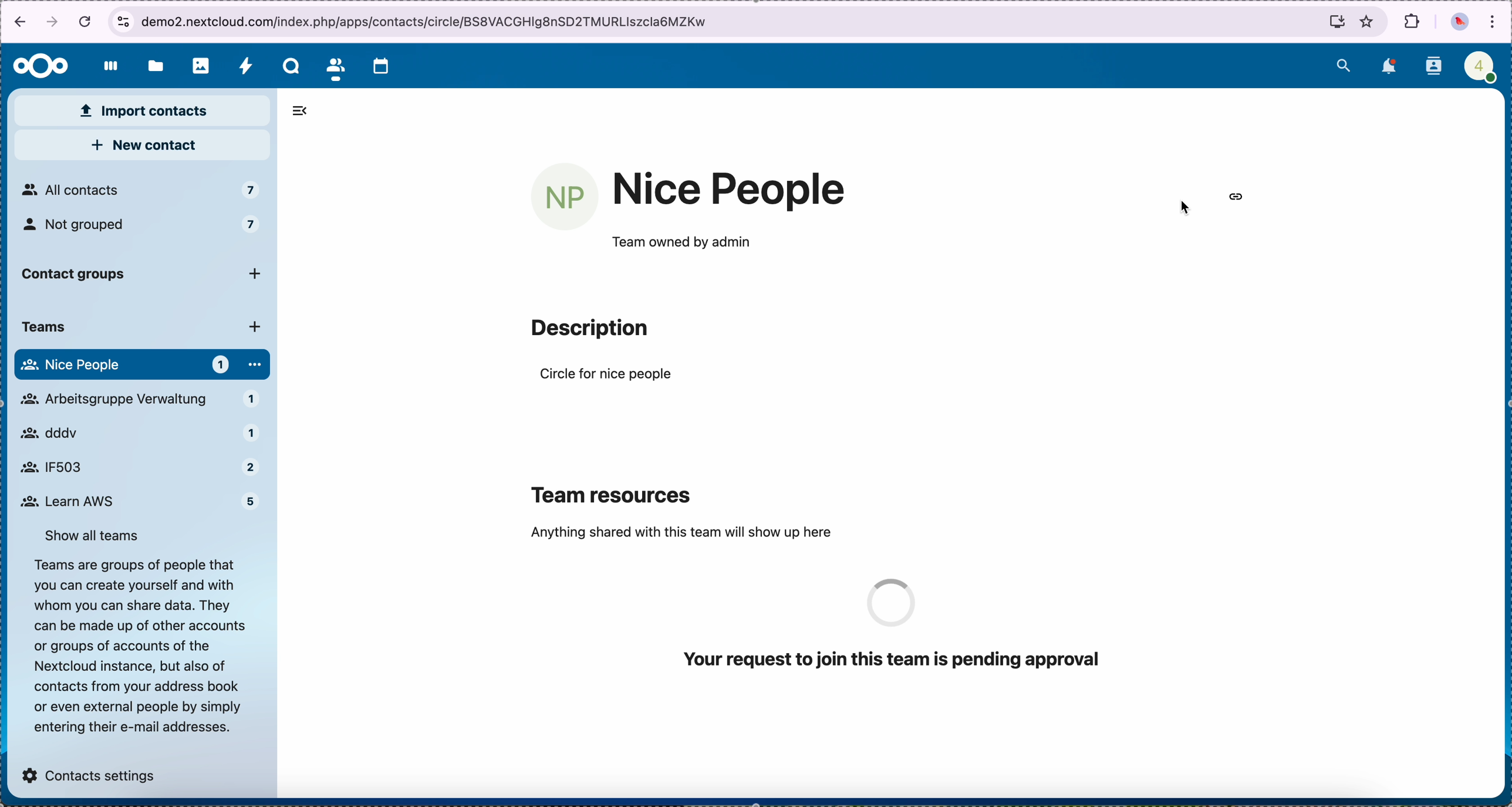  I want to click on contact groups, so click(144, 276).